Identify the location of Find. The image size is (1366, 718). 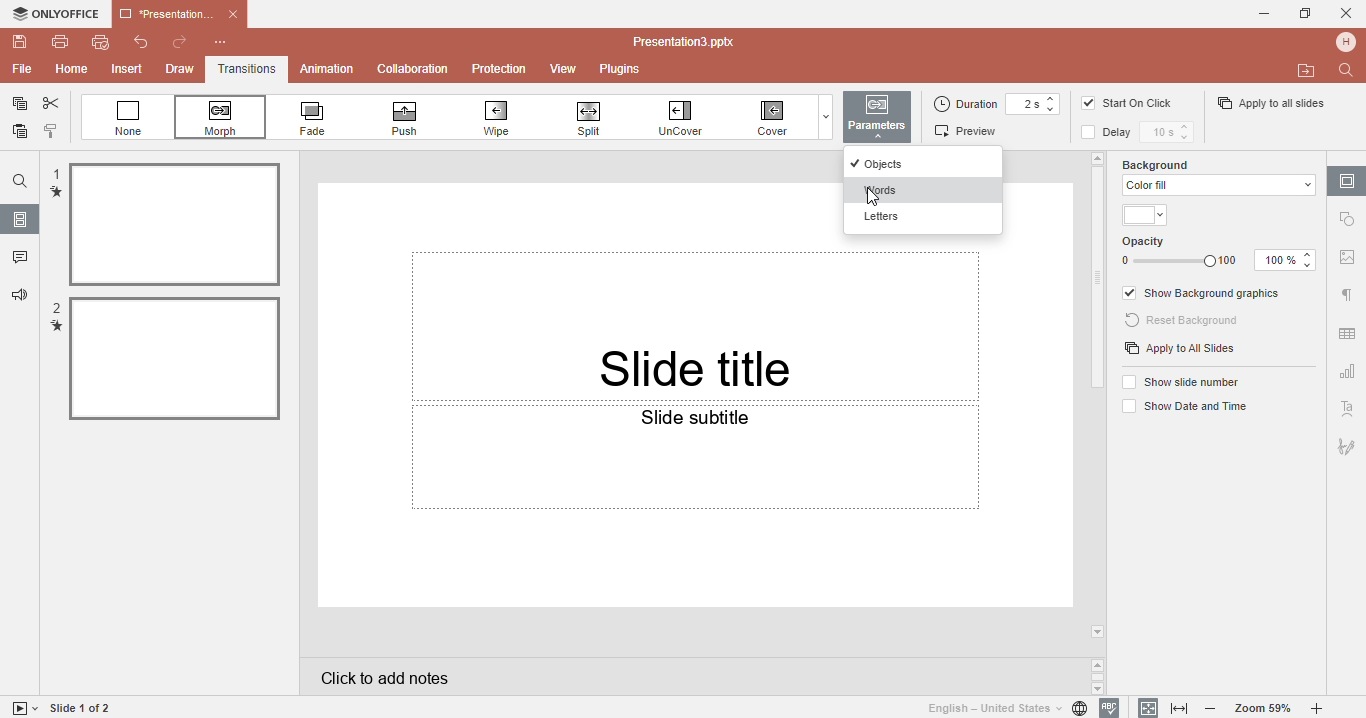
(1349, 70).